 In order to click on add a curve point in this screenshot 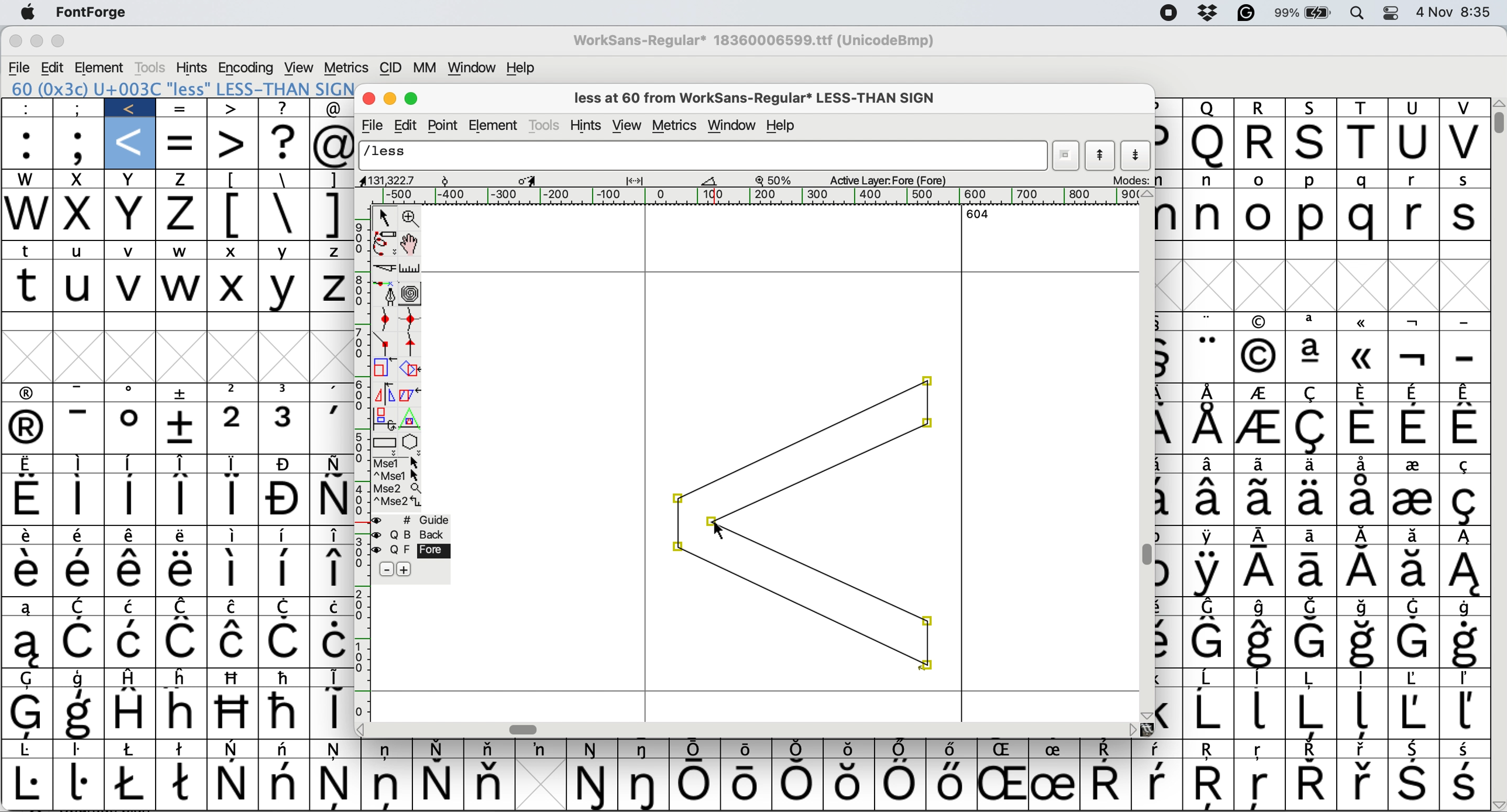, I will do `click(386, 318)`.